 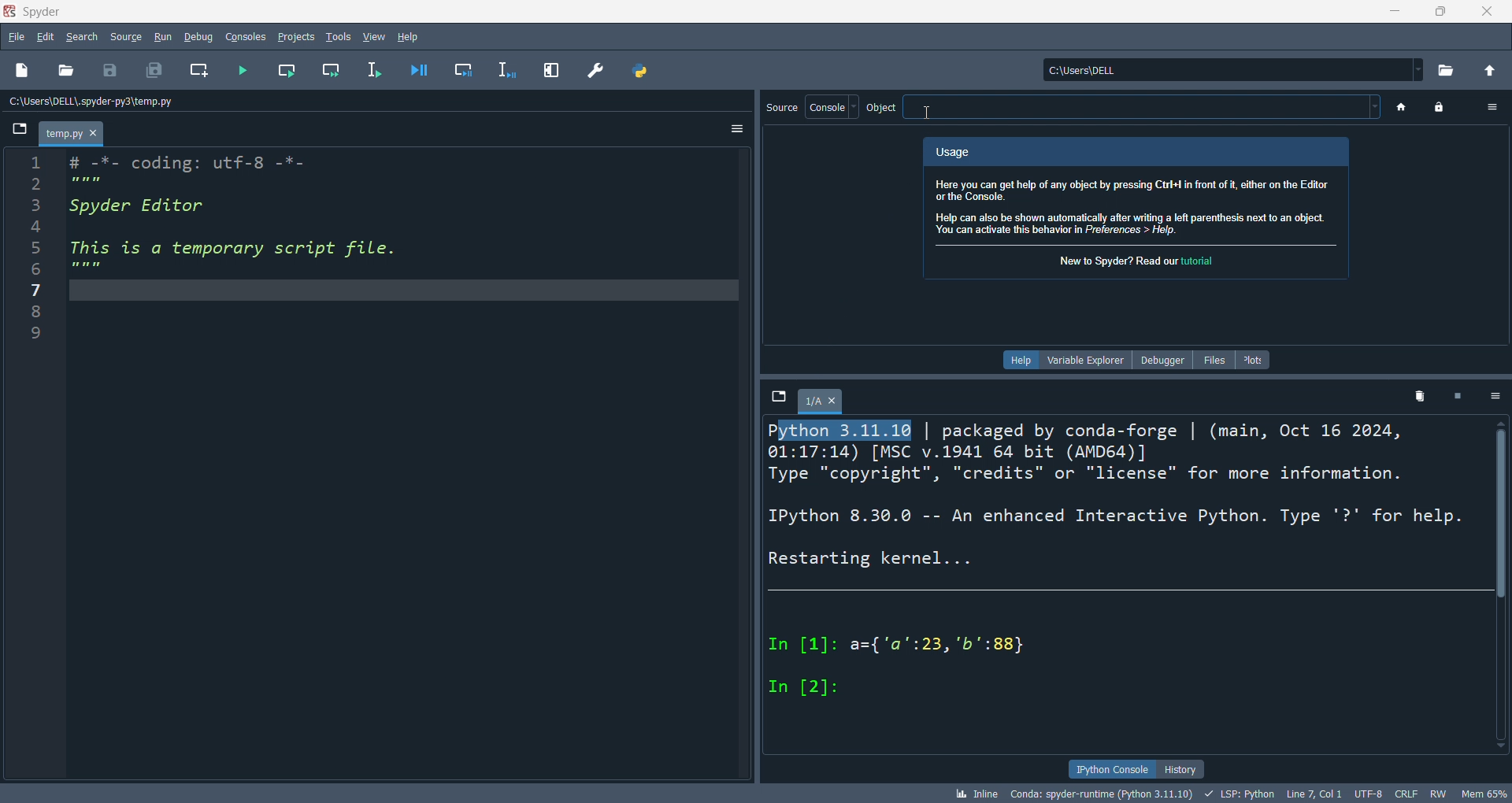 What do you see at coordinates (1440, 13) in the screenshot?
I see `maximize` at bounding box center [1440, 13].